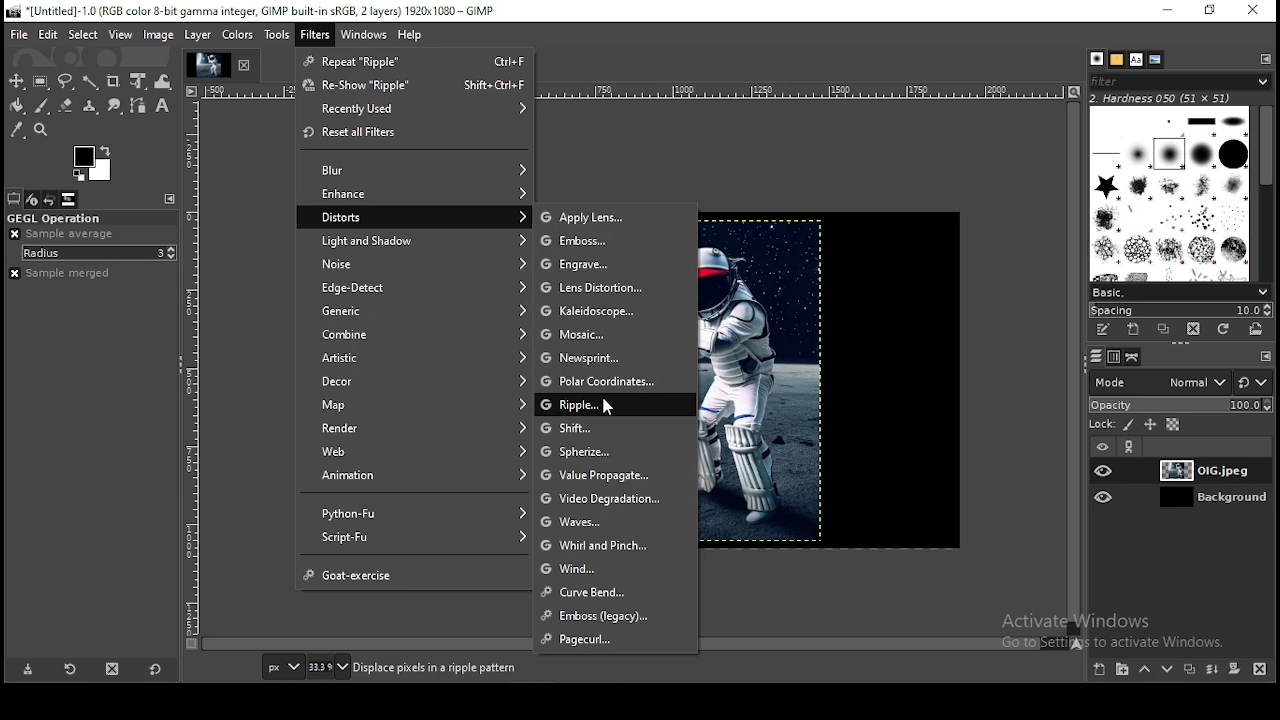 This screenshot has width=1280, height=720. Describe the element at coordinates (1179, 292) in the screenshot. I see `brush presets` at that location.